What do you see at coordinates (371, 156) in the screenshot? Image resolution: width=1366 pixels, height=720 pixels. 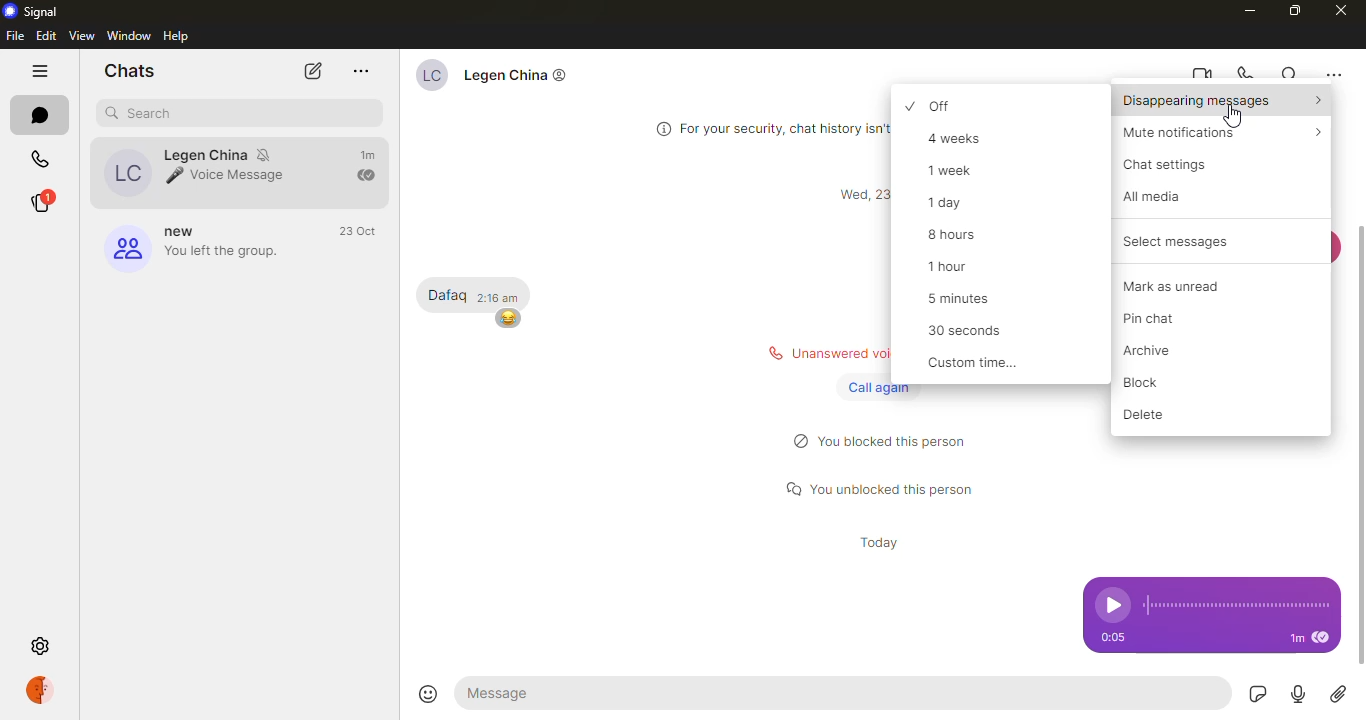 I see `time` at bounding box center [371, 156].